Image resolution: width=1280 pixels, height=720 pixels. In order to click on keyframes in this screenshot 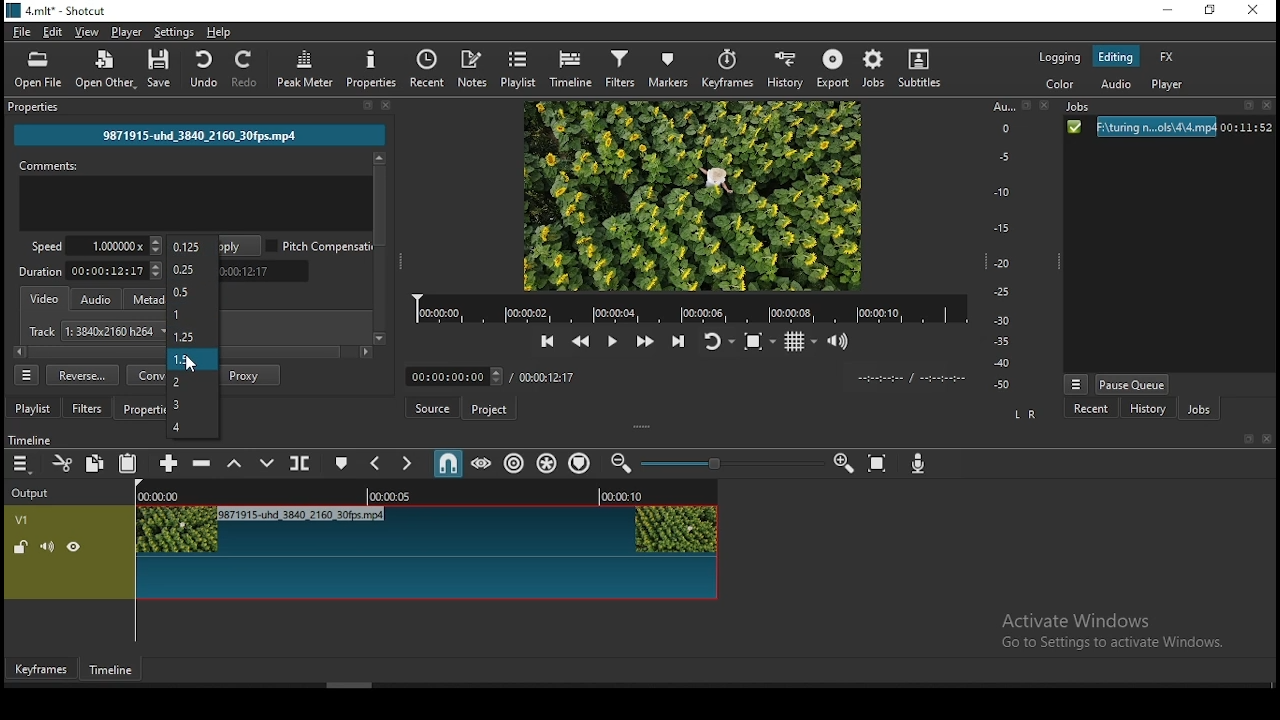, I will do `click(731, 69)`.